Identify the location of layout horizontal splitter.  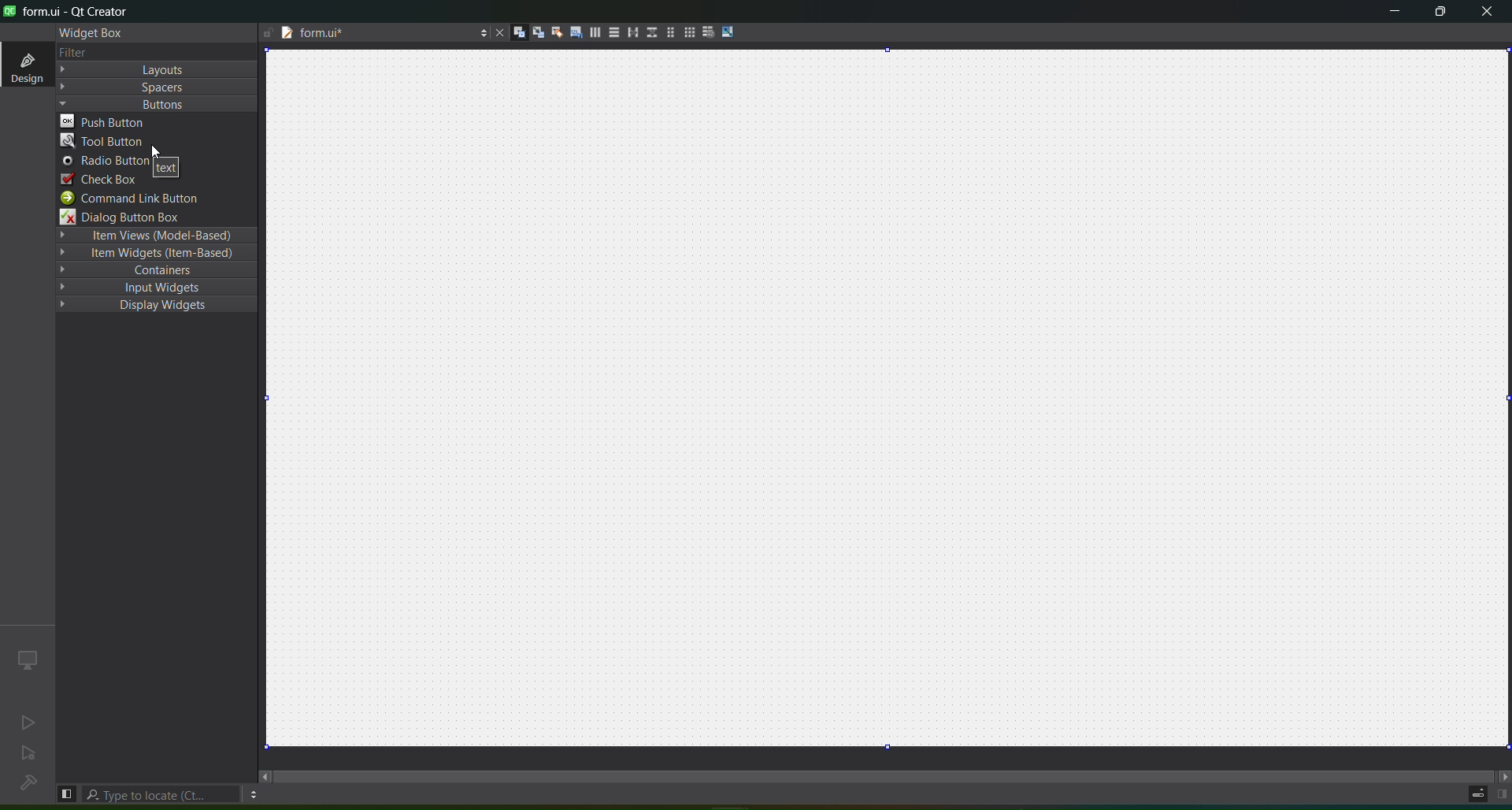
(630, 32).